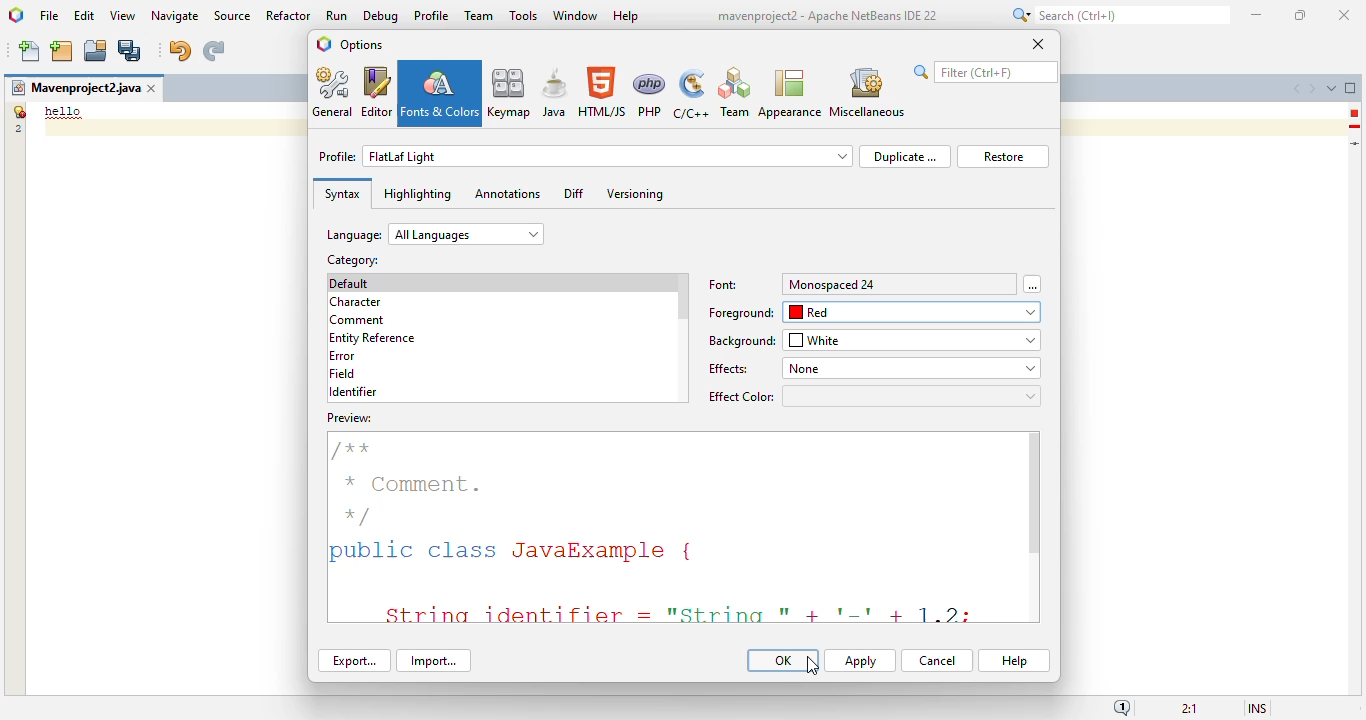 This screenshot has height=720, width=1366. What do you see at coordinates (334, 92) in the screenshot?
I see `general` at bounding box center [334, 92].